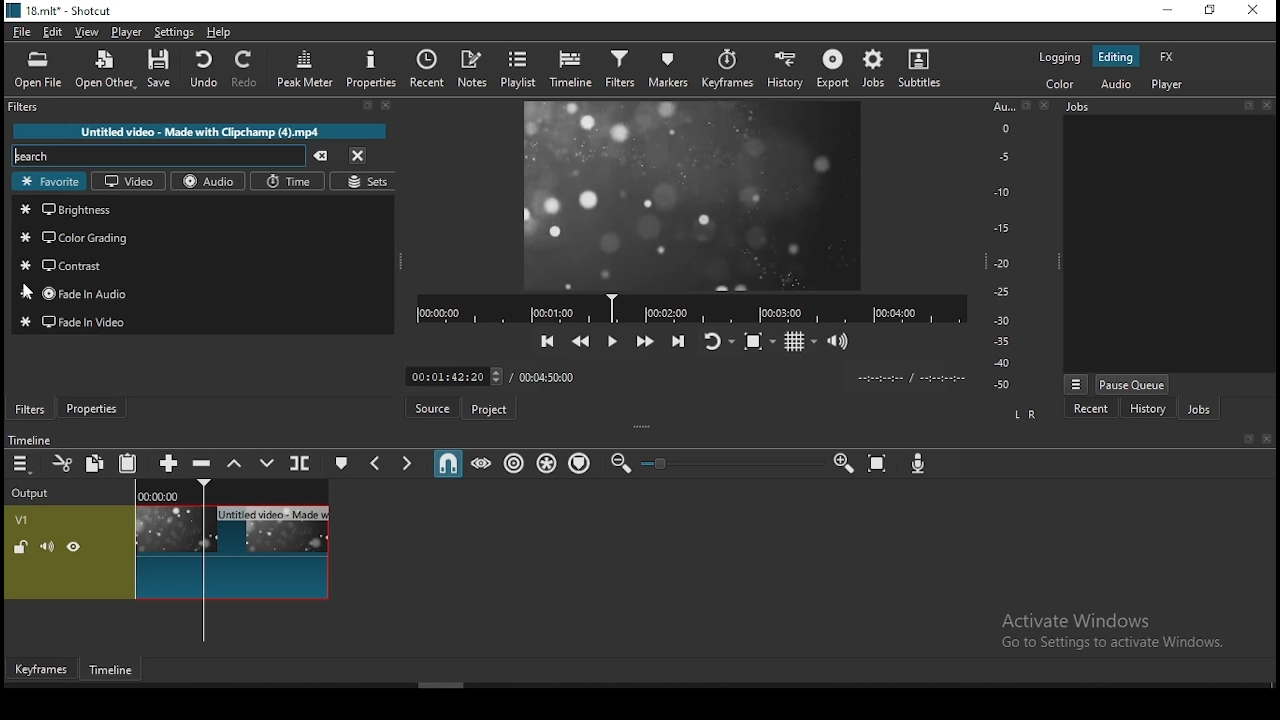  Describe the element at coordinates (732, 464) in the screenshot. I see `Zoom Slider` at that location.